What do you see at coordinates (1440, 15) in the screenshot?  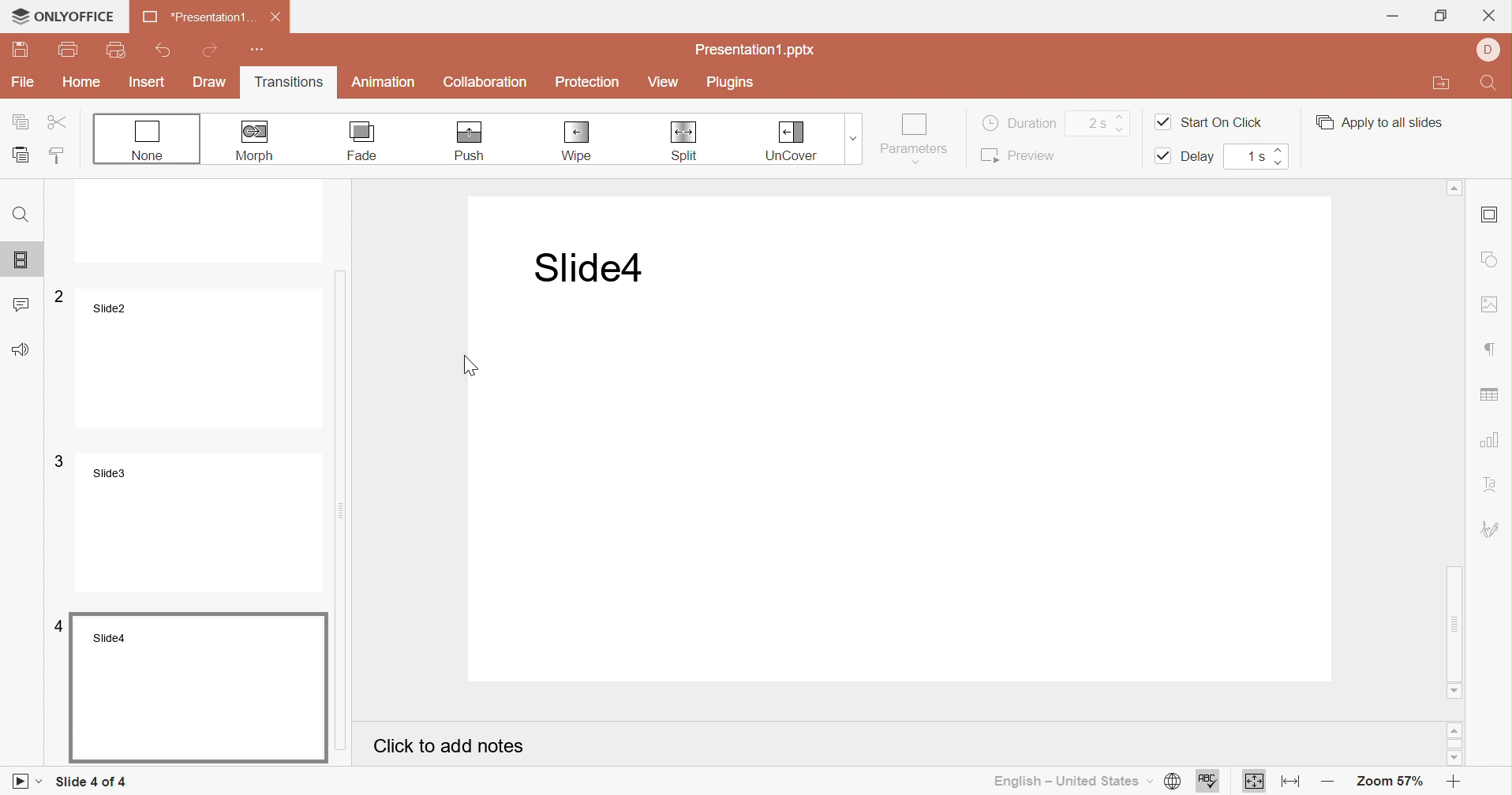 I see `Restore down` at bounding box center [1440, 15].